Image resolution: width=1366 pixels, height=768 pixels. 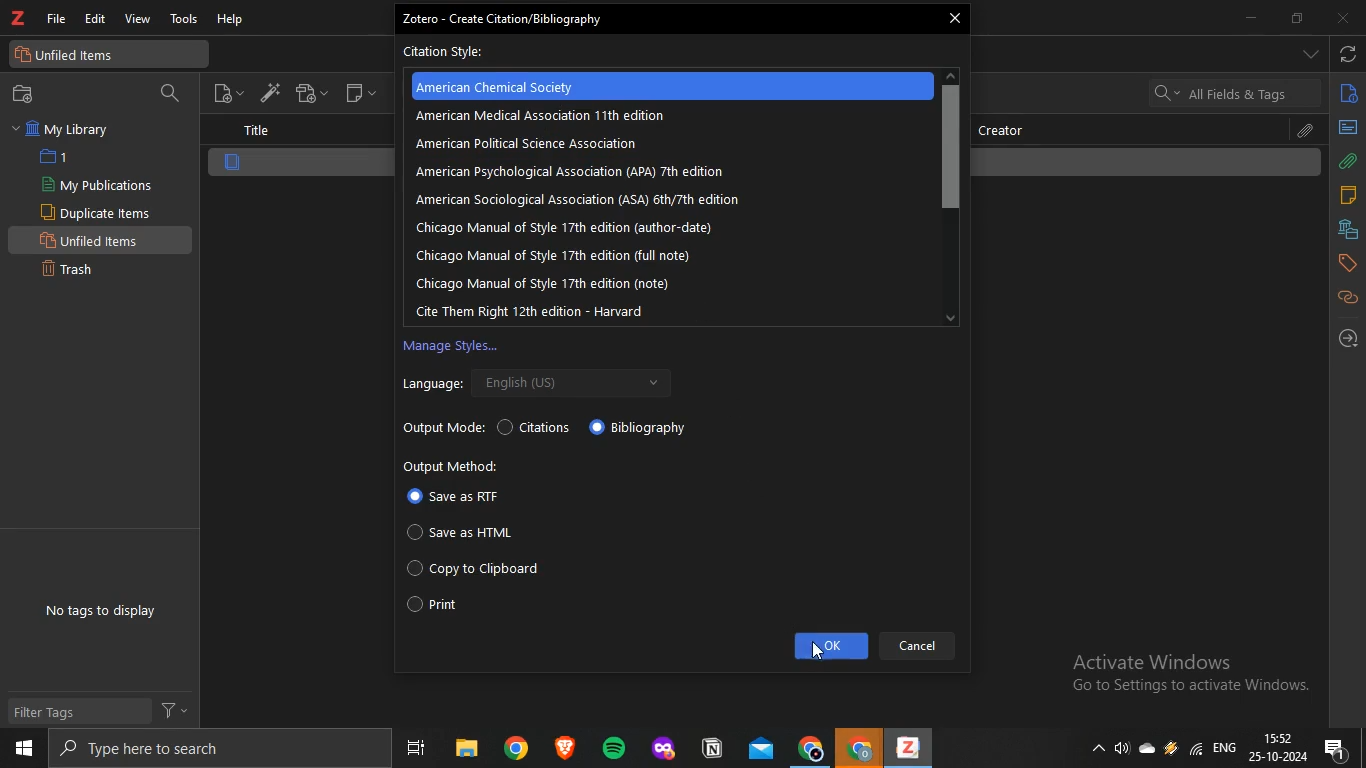 I want to click on scroll bar, so click(x=950, y=147).